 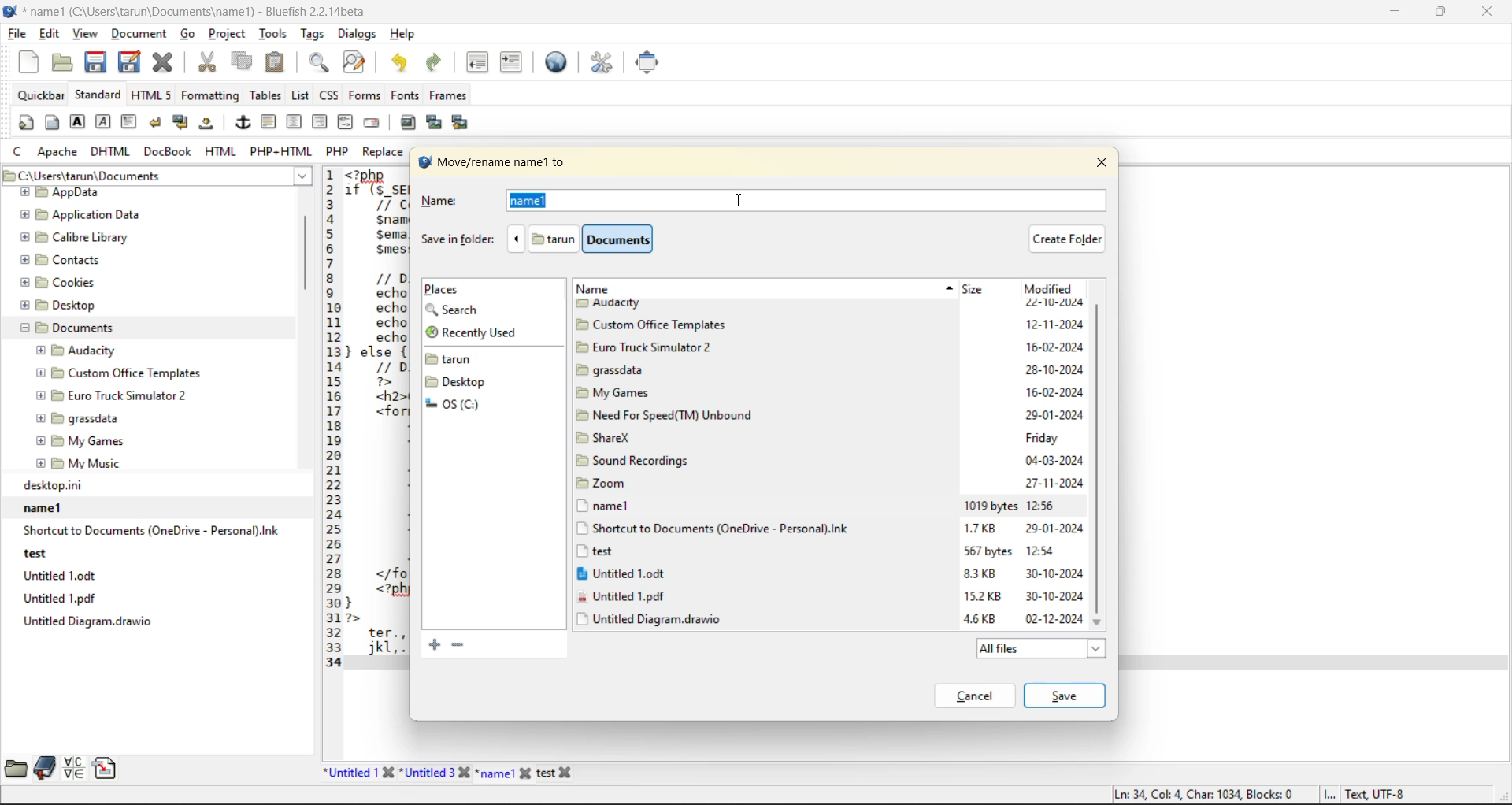 I want to click on modified, so click(x=1047, y=287).